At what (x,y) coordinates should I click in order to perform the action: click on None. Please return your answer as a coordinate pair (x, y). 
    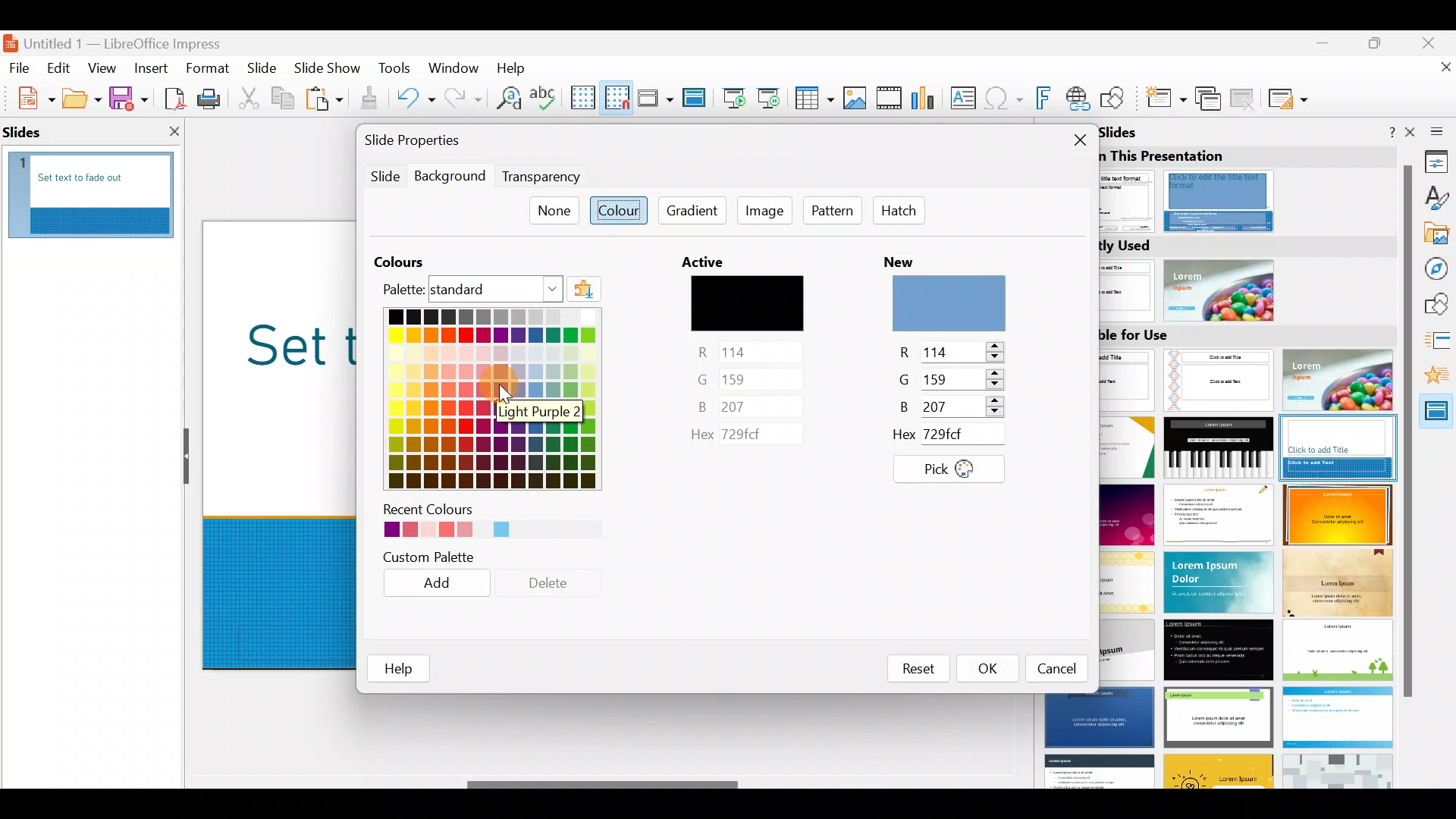
    Looking at the image, I should click on (553, 211).